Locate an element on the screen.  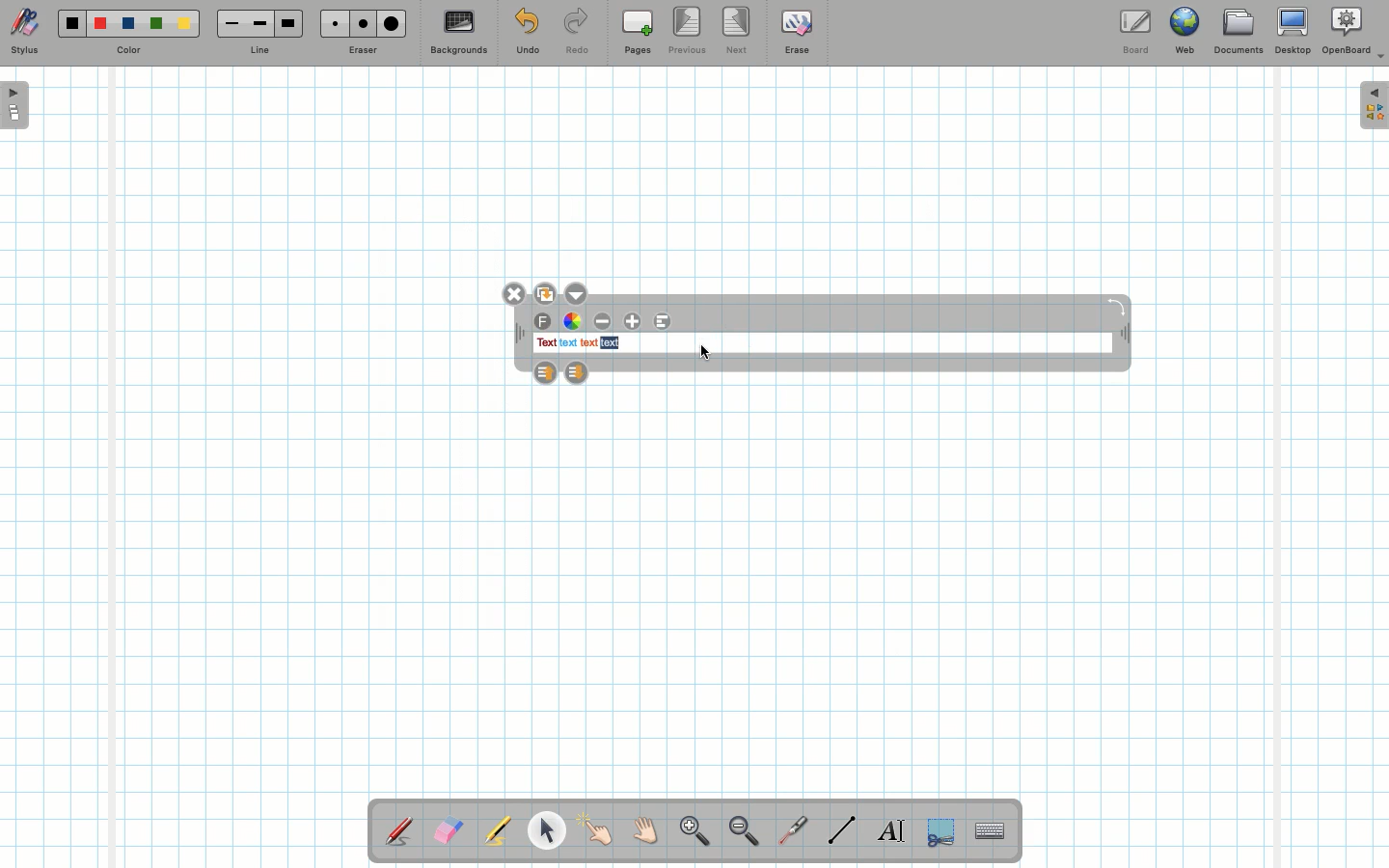
Layer up is located at coordinates (543, 371).